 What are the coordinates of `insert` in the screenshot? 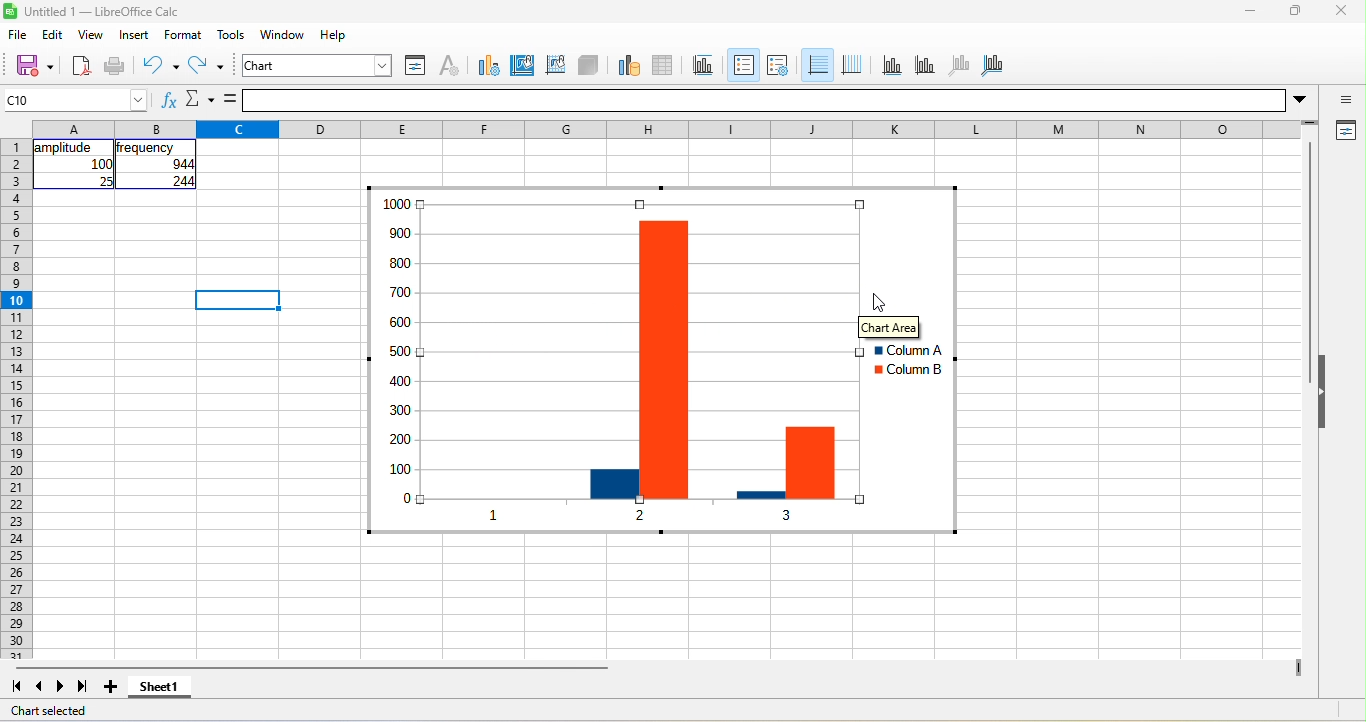 It's located at (134, 35).